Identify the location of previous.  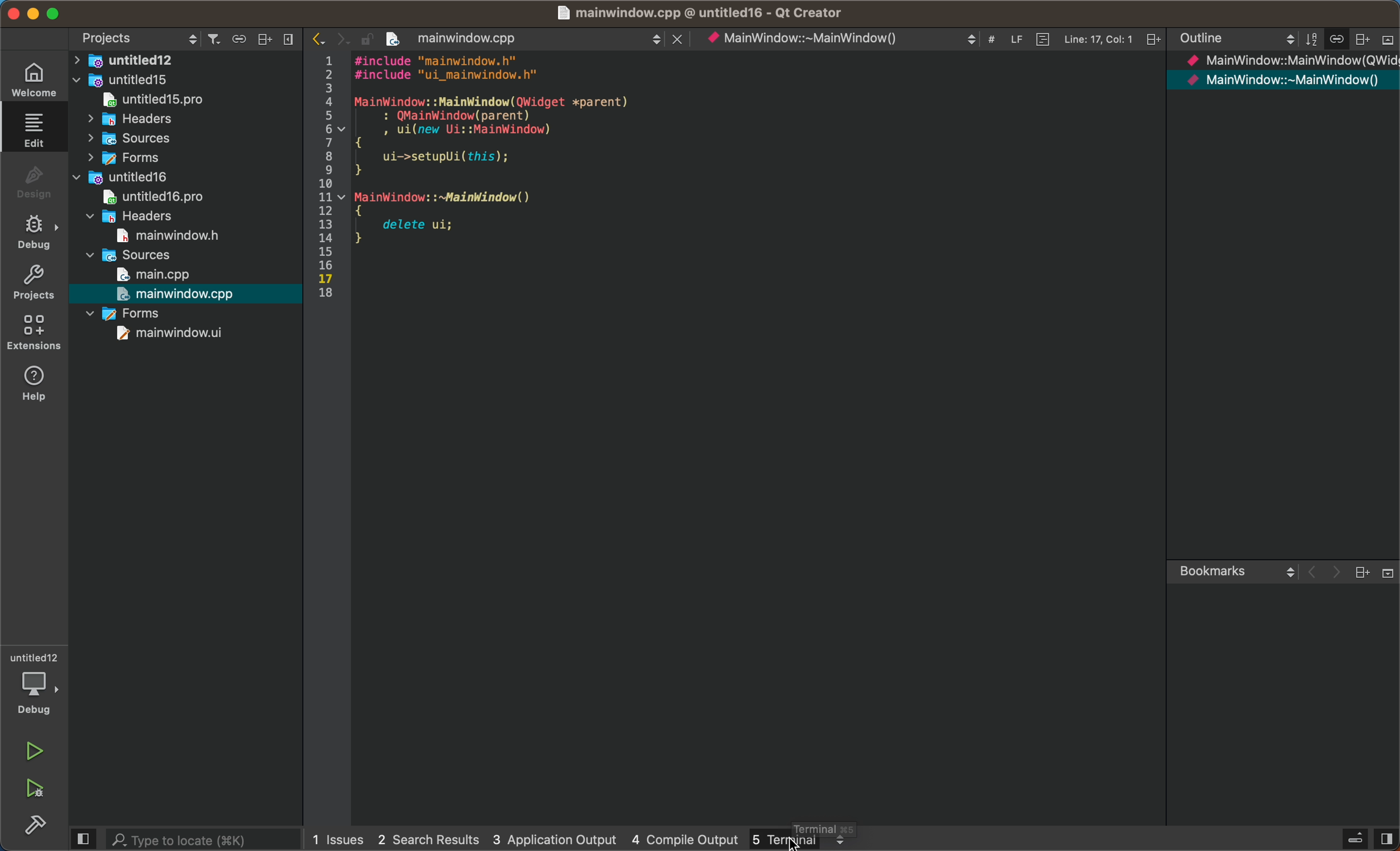
(316, 36).